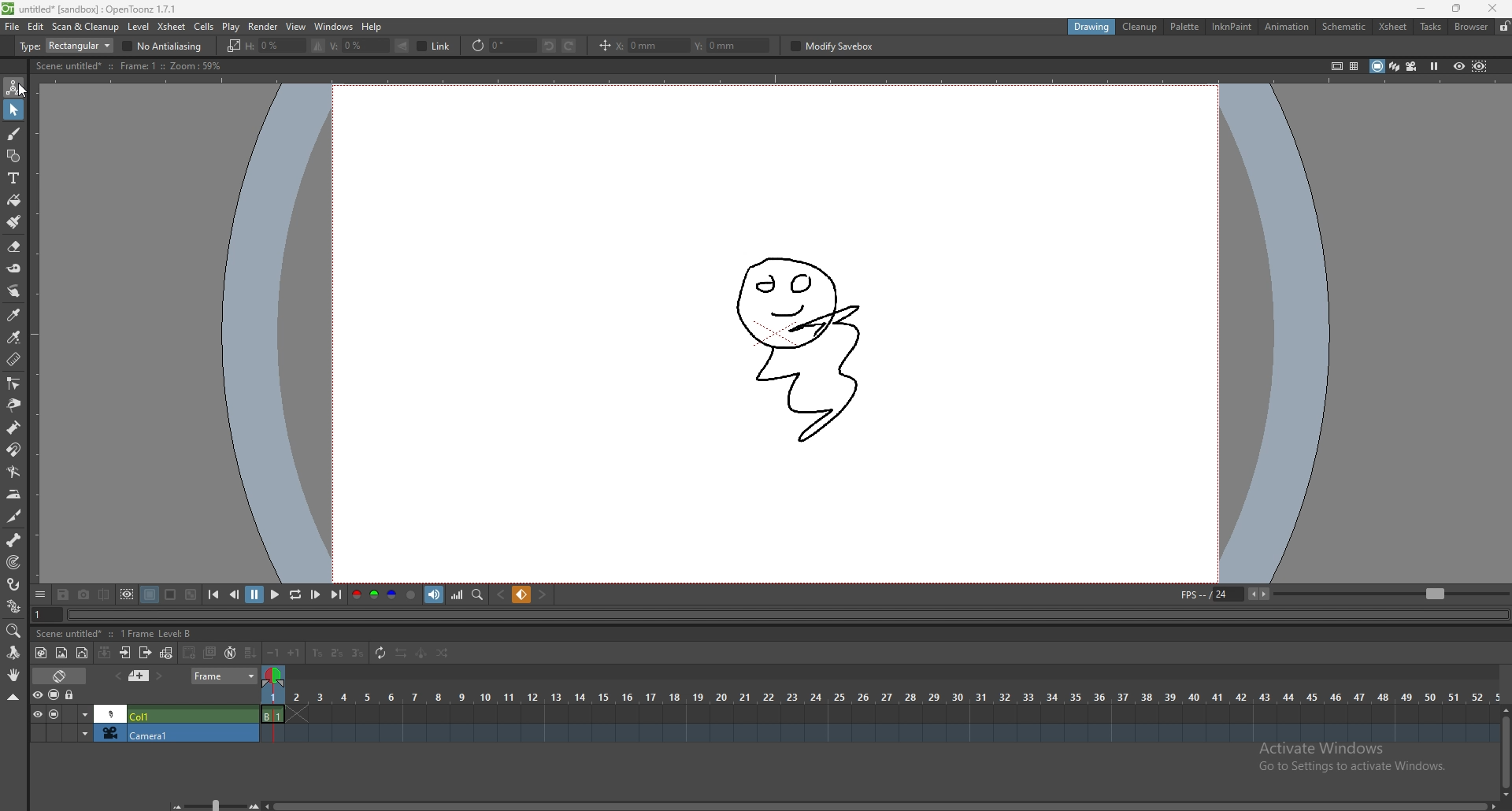 Image resolution: width=1512 pixels, height=811 pixels. I want to click on help, so click(373, 27).